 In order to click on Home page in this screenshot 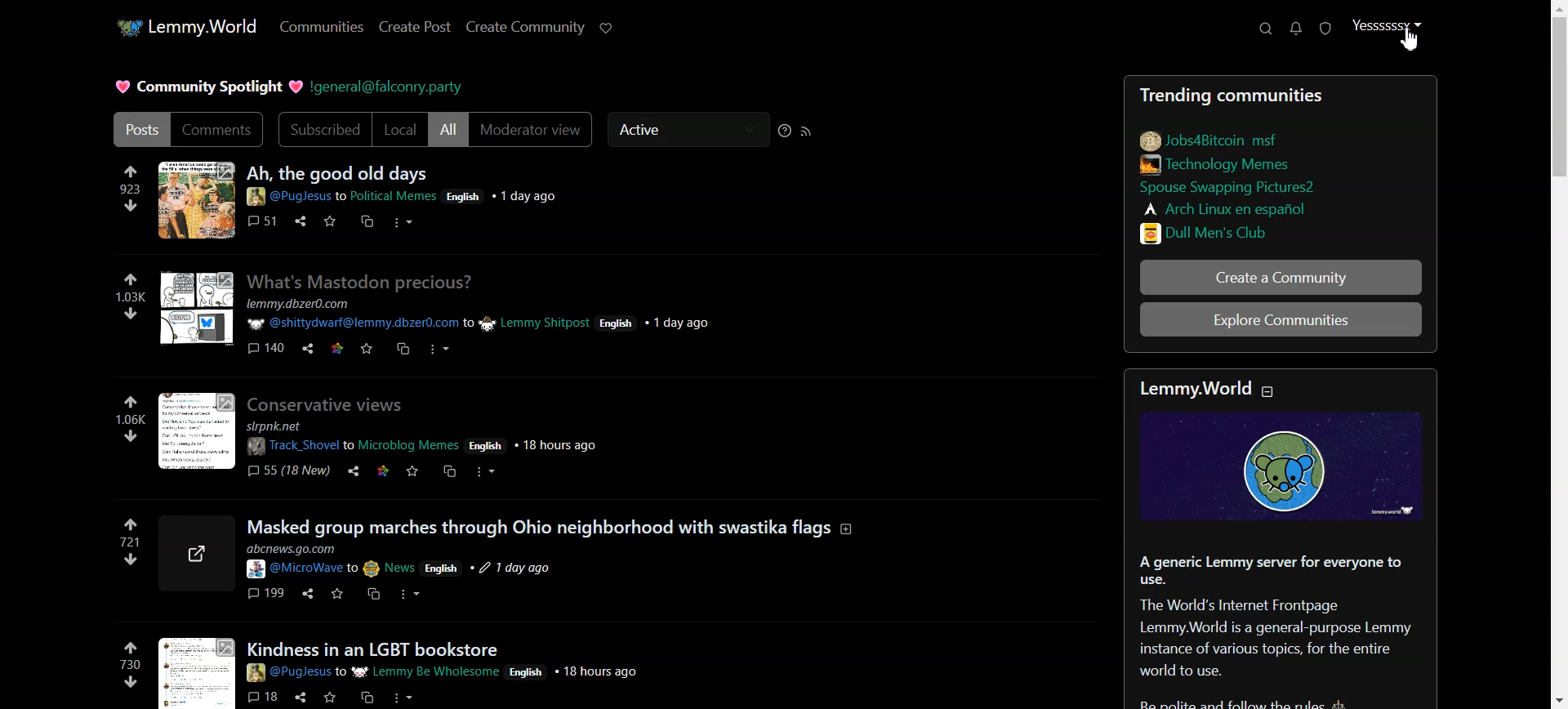, I will do `click(185, 28)`.